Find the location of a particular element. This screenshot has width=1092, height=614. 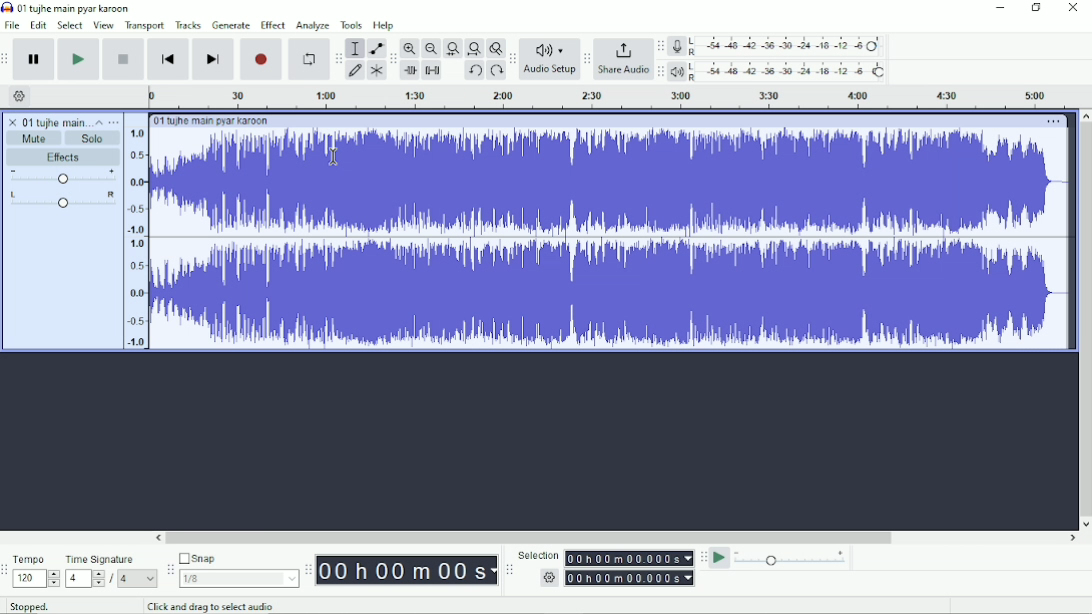

Effects is located at coordinates (64, 157).